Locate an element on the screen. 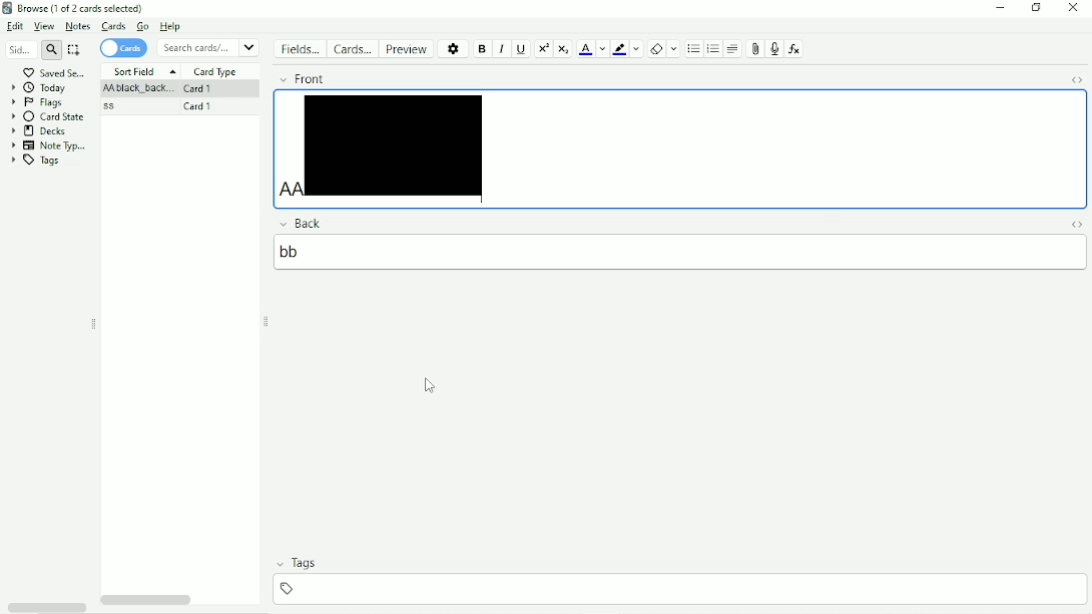 Image resolution: width=1092 pixels, height=614 pixels. Card 1 is located at coordinates (199, 88).